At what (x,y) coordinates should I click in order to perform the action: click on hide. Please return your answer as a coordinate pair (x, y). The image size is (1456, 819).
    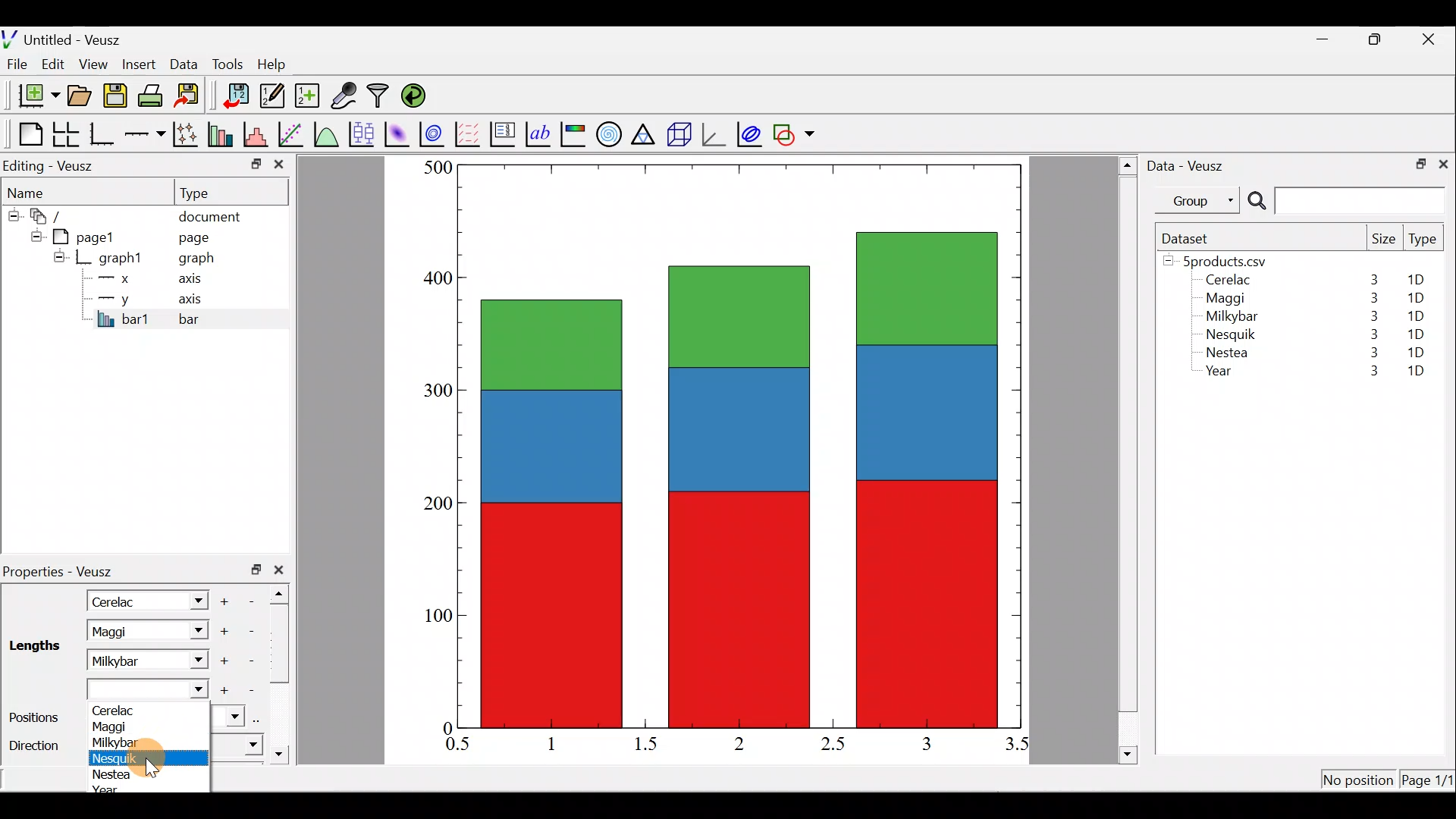
    Looking at the image, I should click on (59, 256).